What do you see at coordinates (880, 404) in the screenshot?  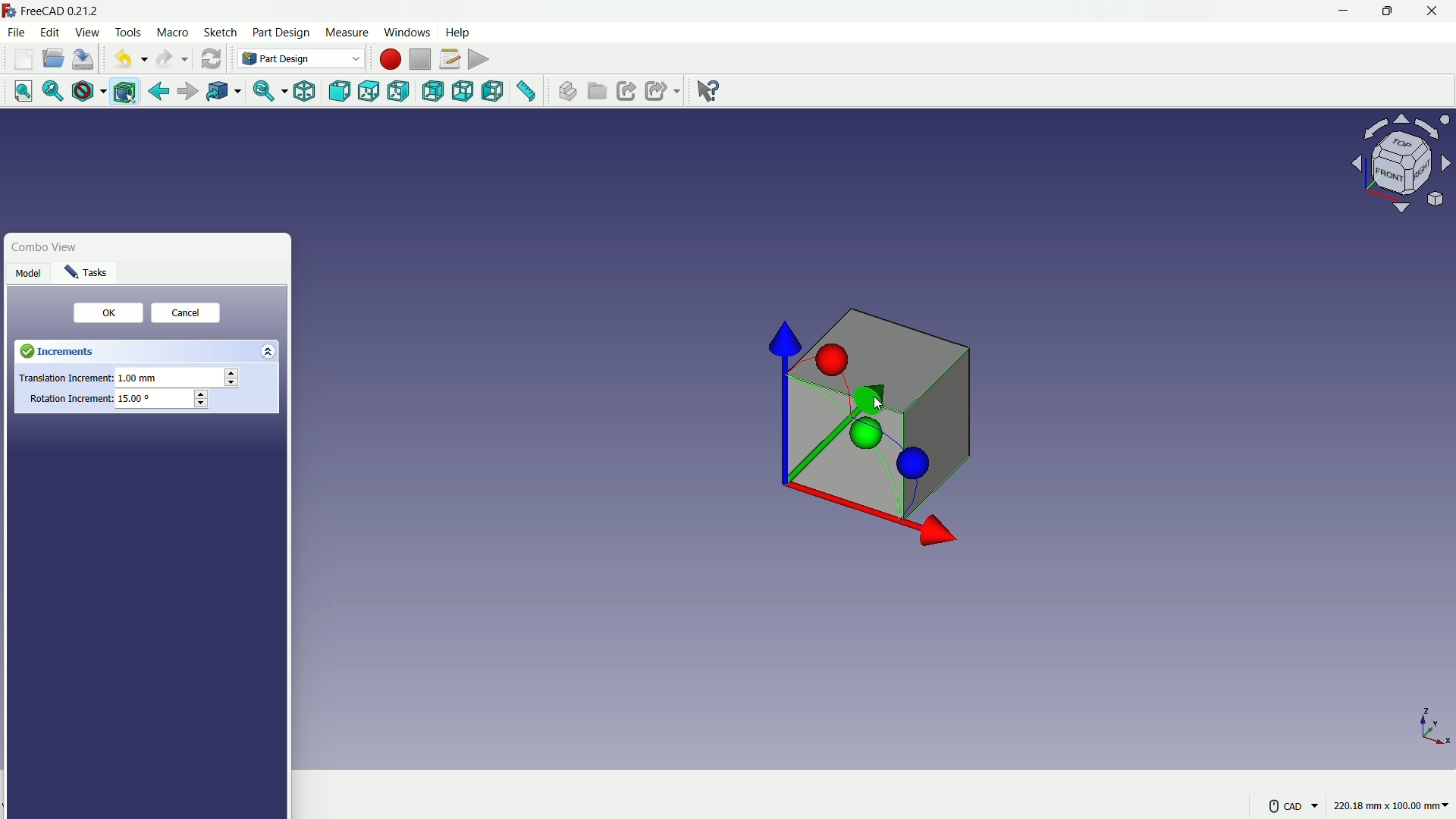 I see `cursor` at bounding box center [880, 404].